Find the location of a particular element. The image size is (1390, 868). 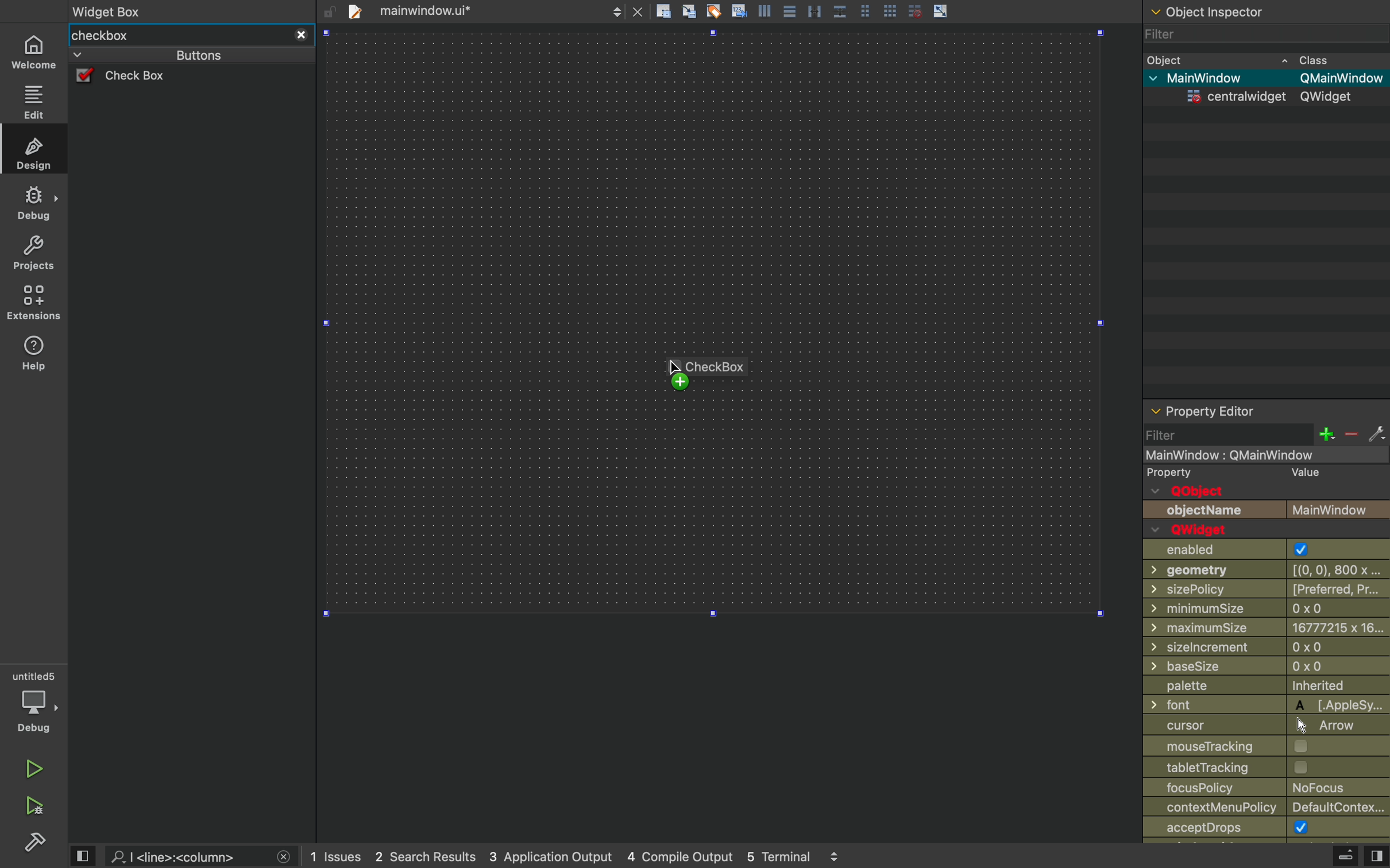

home is located at coordinates (34, 51).